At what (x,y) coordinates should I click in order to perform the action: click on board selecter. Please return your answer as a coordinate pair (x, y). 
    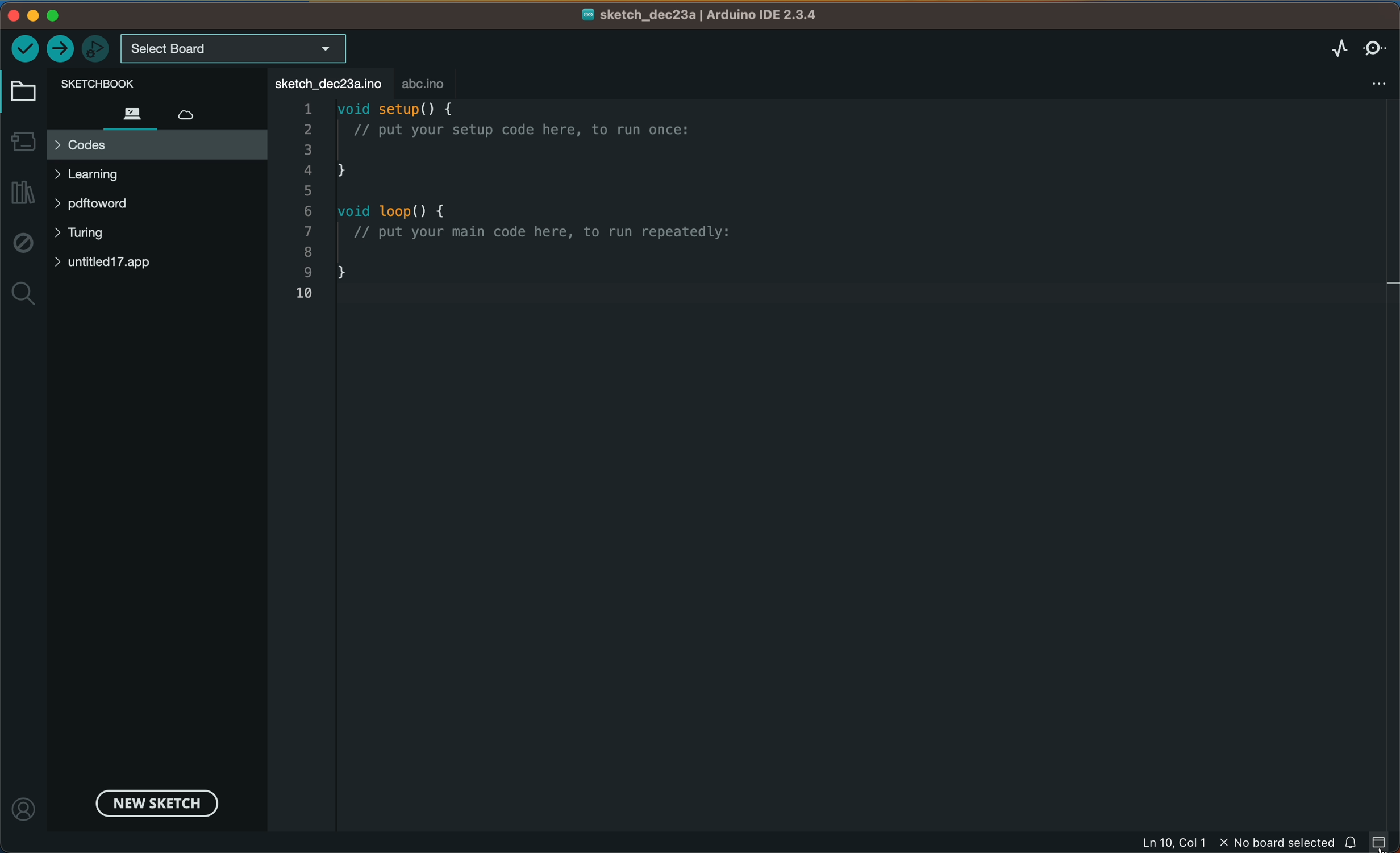
    Looking at the image, I should click on (235, 49).